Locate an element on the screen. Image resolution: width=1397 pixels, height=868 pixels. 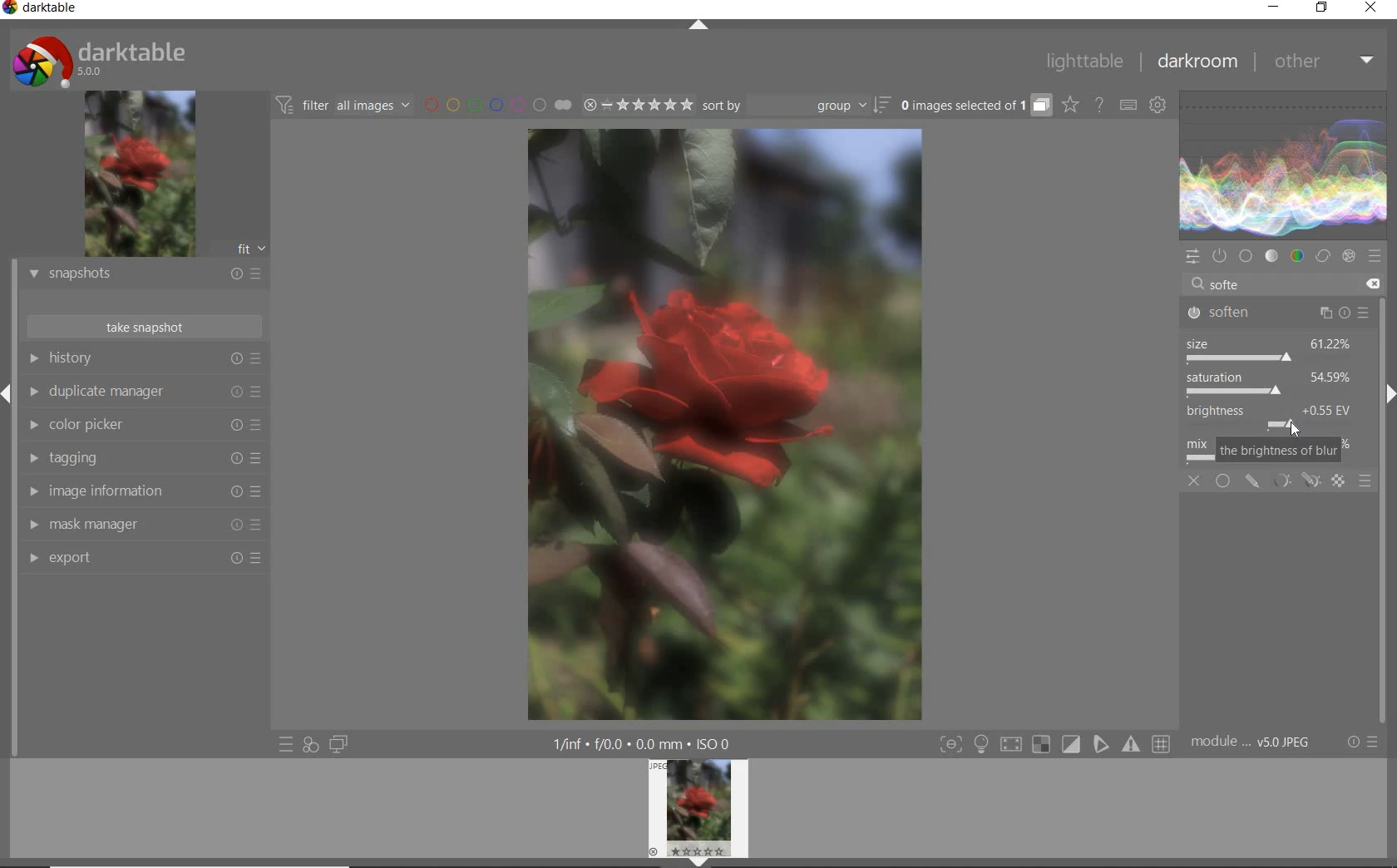
image information is located at coordinates (142, 491).